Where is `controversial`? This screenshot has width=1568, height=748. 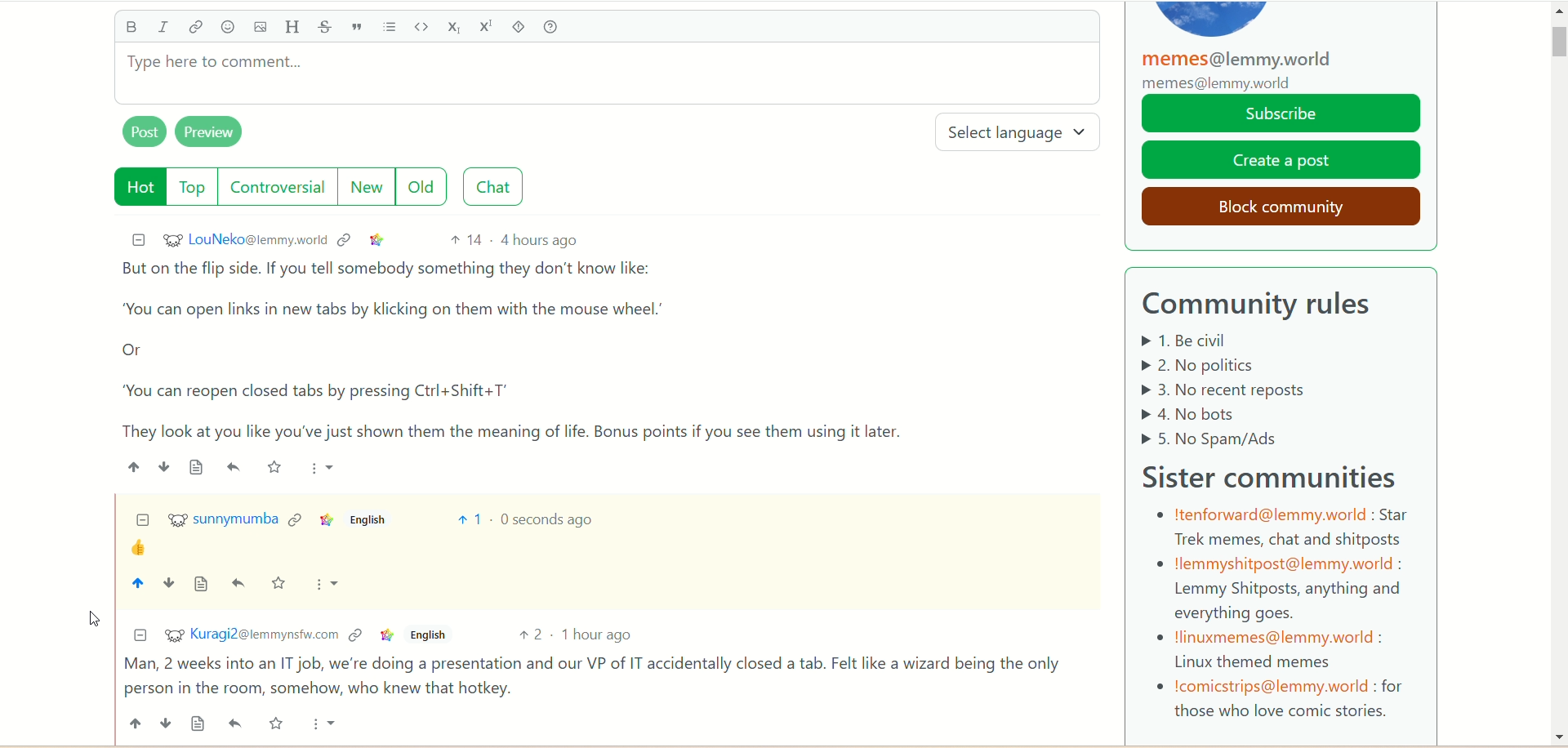 controversial is located at coordinates (282, 187).